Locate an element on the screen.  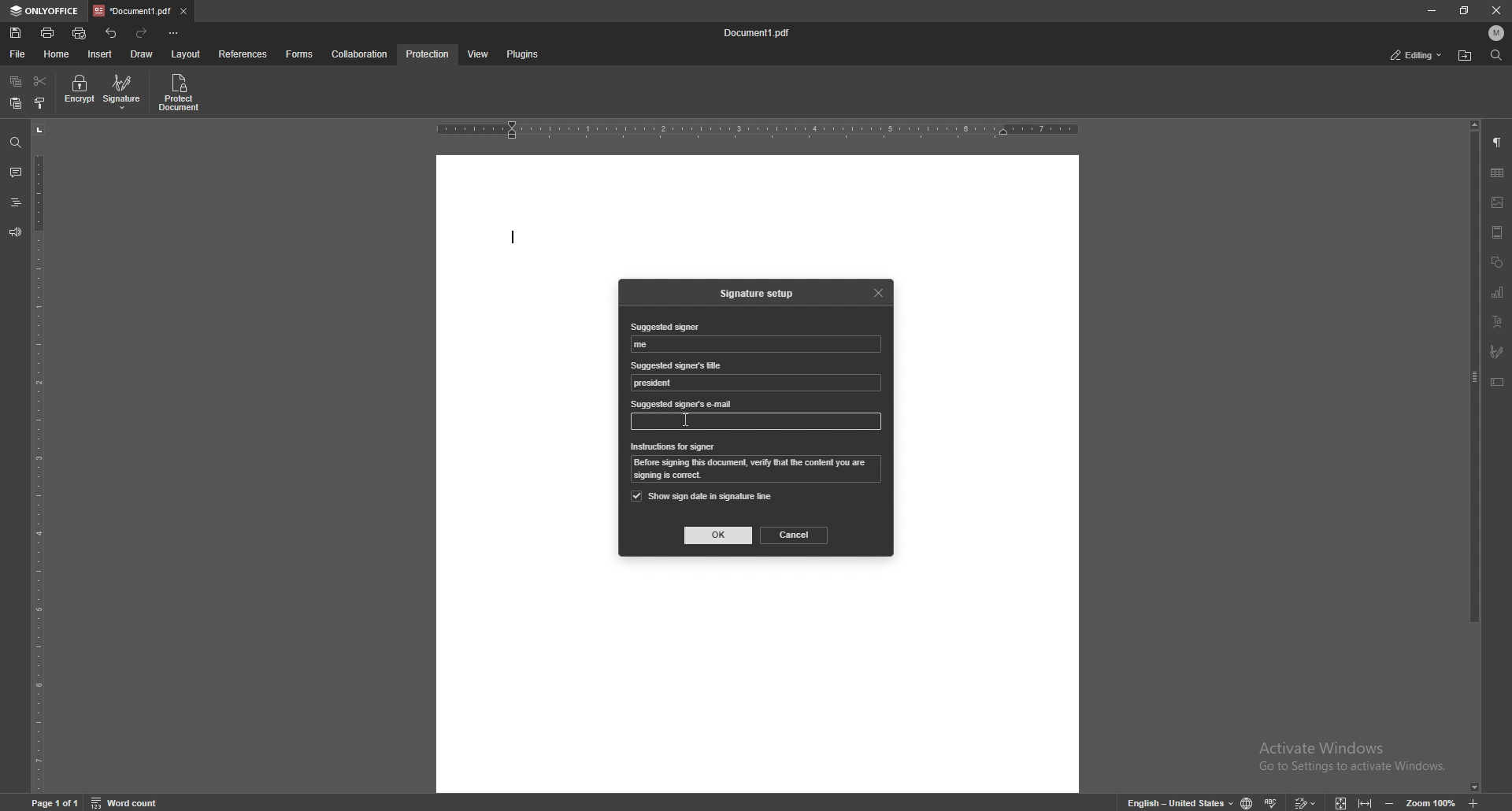
cut is located at coordinates (40, 82).